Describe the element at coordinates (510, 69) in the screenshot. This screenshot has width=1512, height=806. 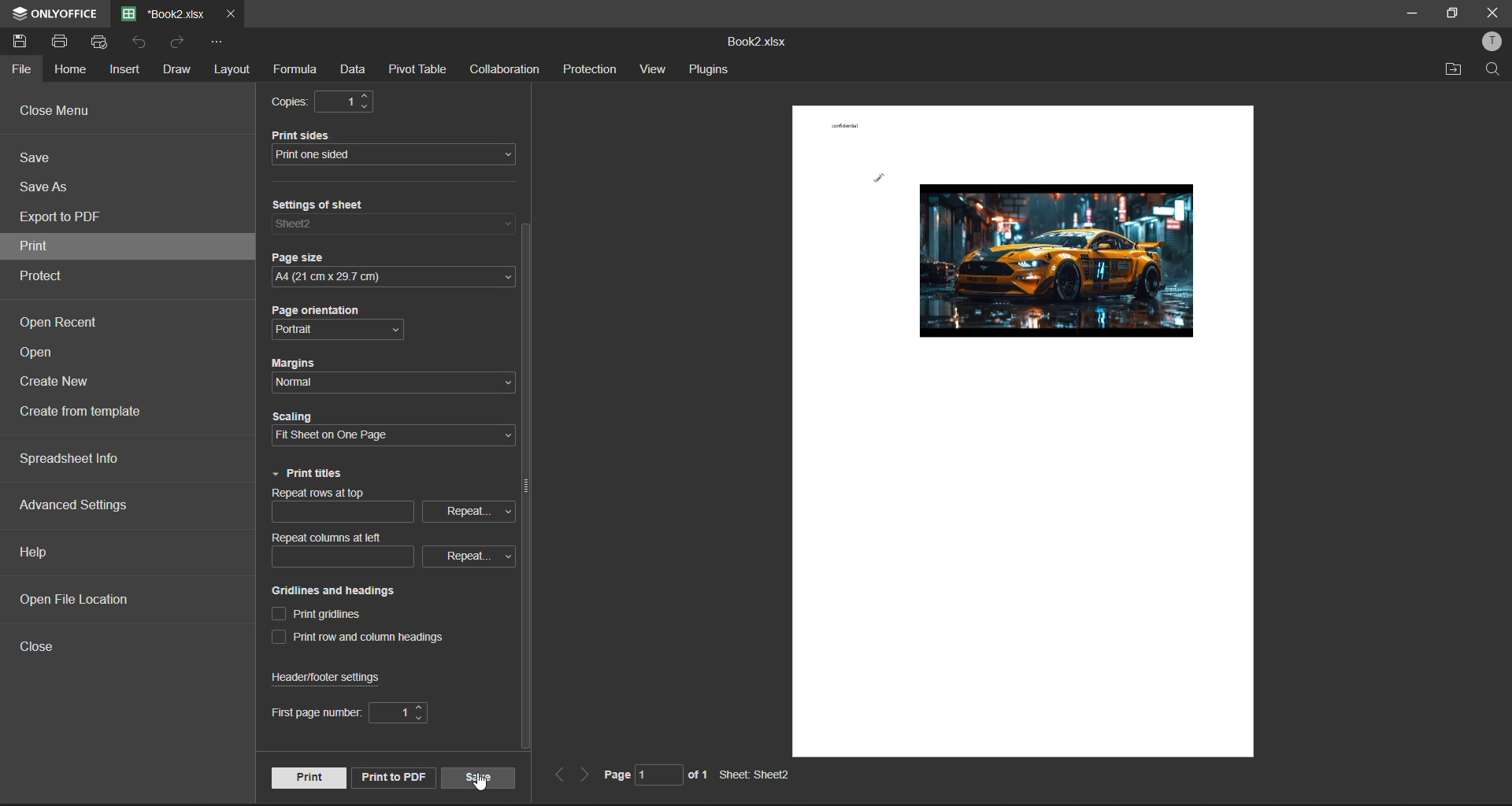
I see `collaboration` at that location.